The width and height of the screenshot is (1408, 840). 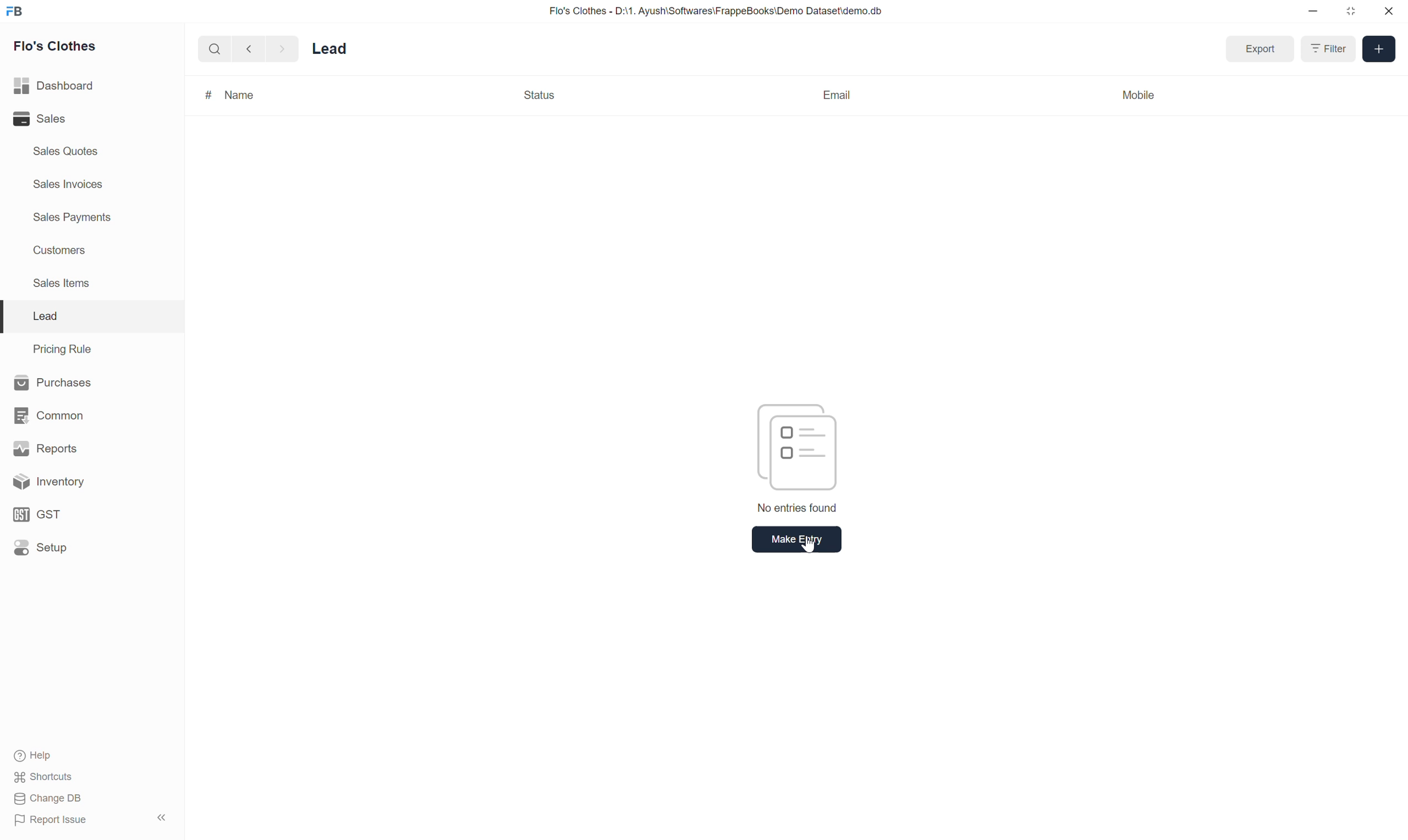 What do you see at coordinates (40, 119) in the screenshot?
I see `Sales` at bounding box center [40, 119].